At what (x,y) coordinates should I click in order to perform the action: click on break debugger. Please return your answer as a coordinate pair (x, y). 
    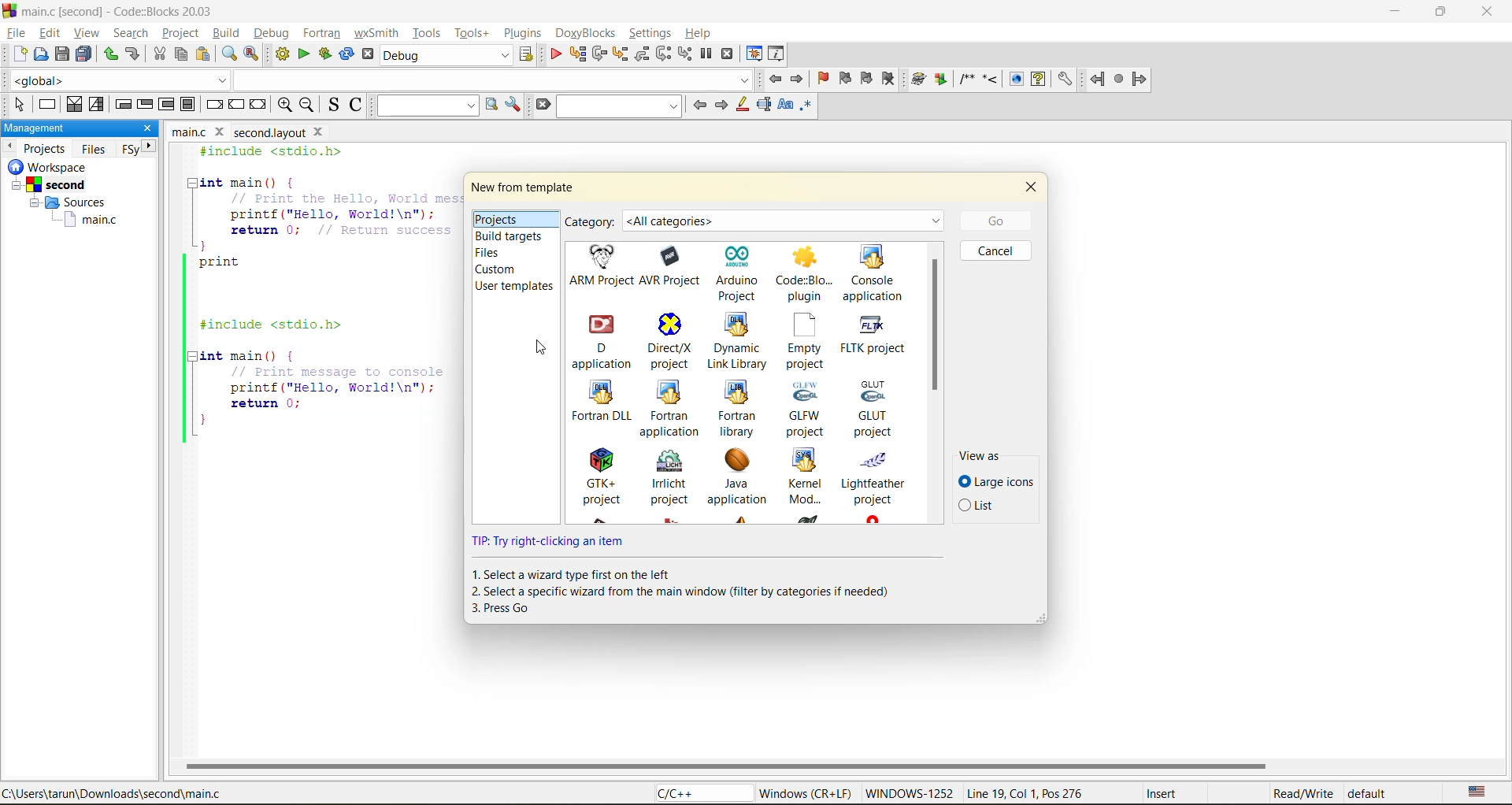
    Looking at the image, I should click on (706, 54).